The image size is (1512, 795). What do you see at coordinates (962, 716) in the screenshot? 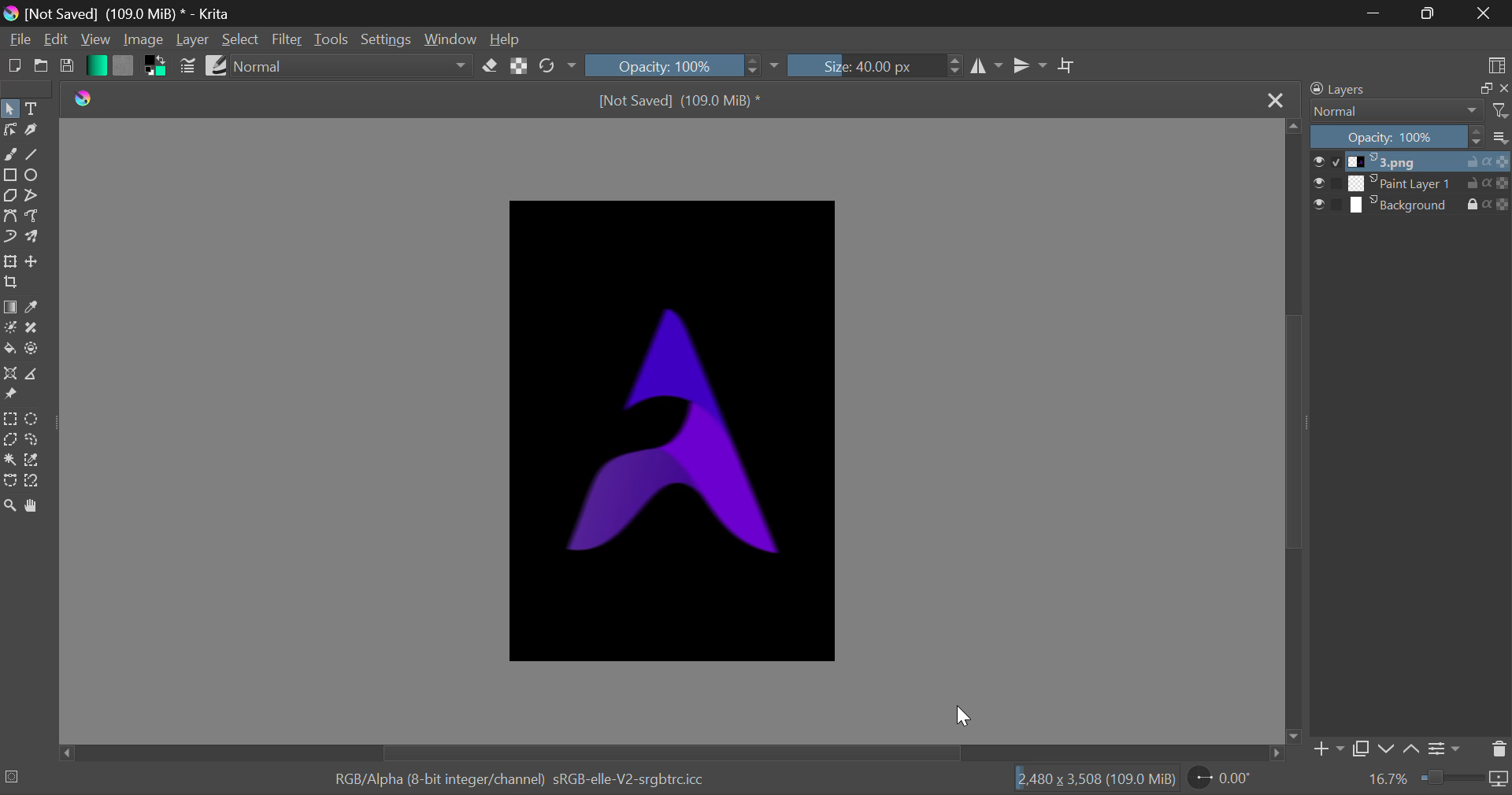
I see `cursor` at bounding box center [962, 716].